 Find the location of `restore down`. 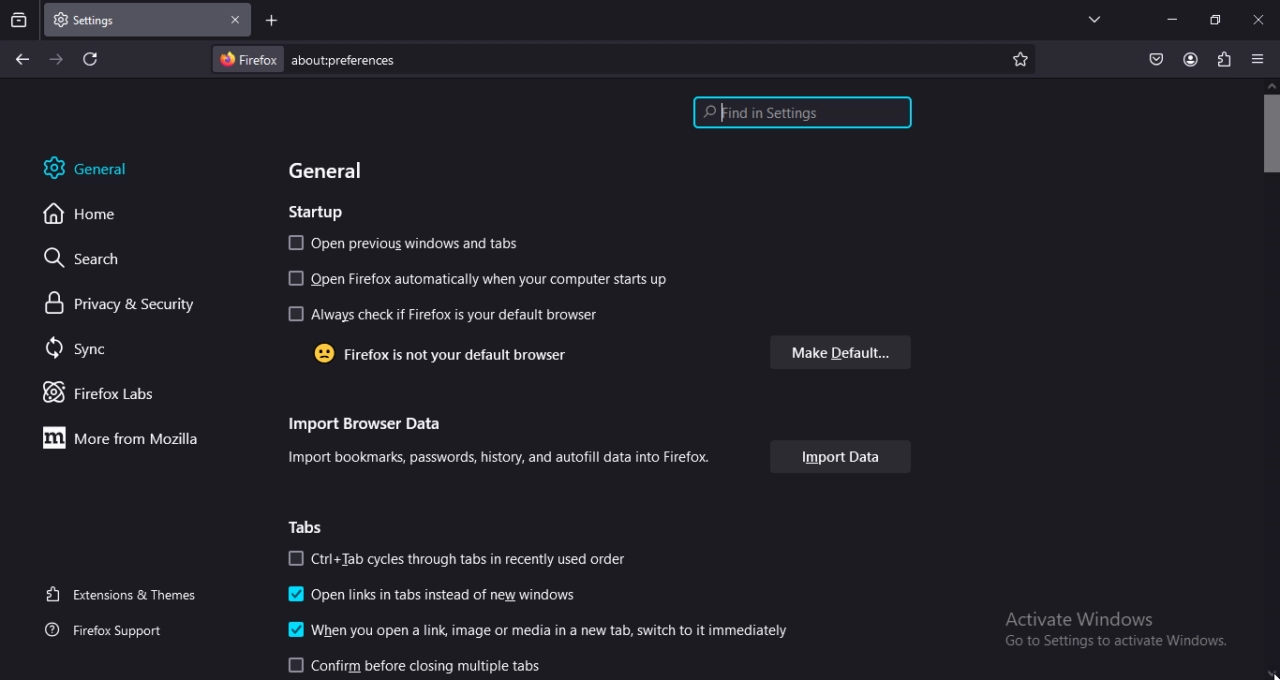

restore down is located at coordinates (1214, 20).